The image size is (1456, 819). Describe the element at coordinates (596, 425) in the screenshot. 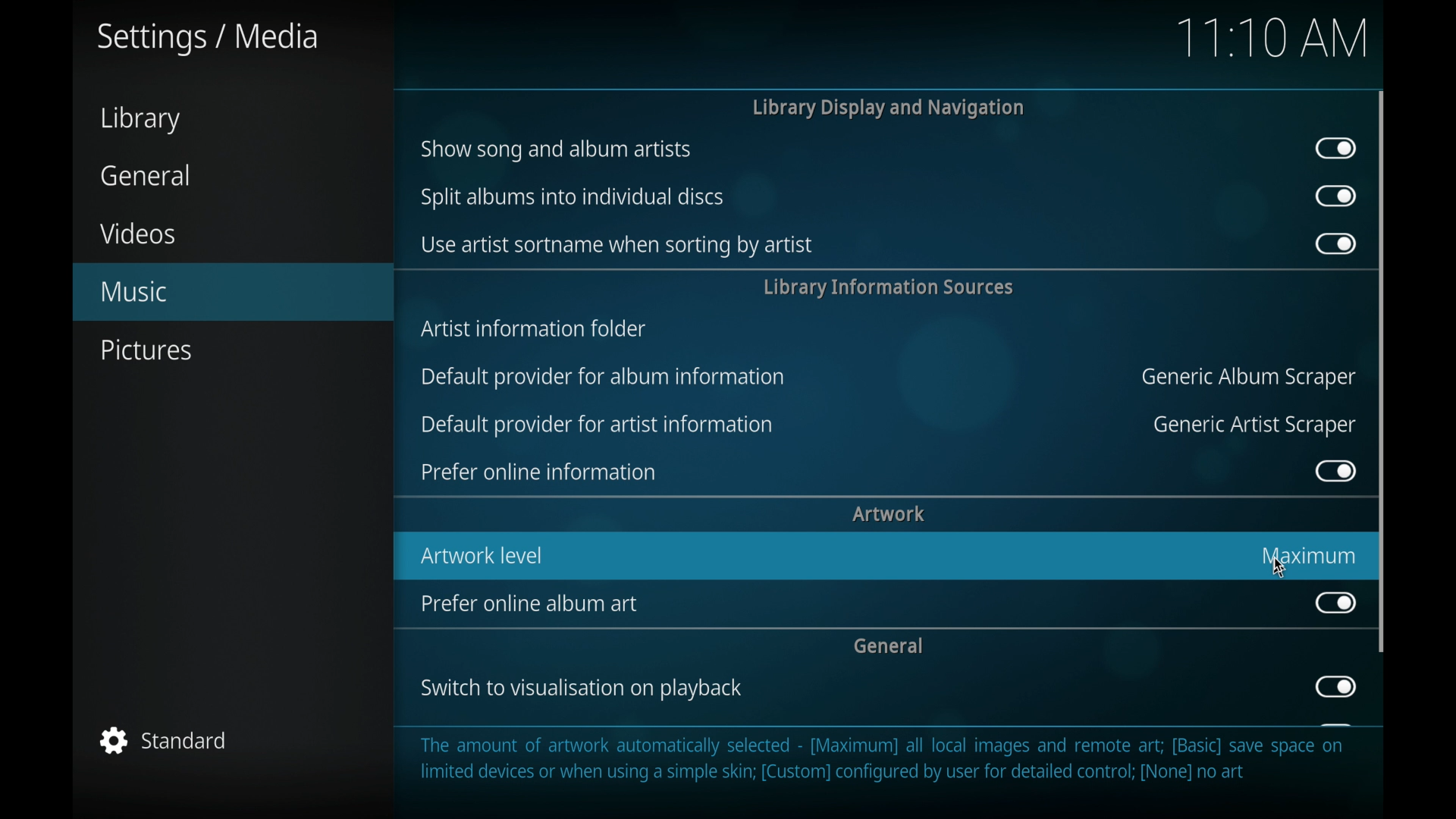

I see `default provider for artist information` at that location.